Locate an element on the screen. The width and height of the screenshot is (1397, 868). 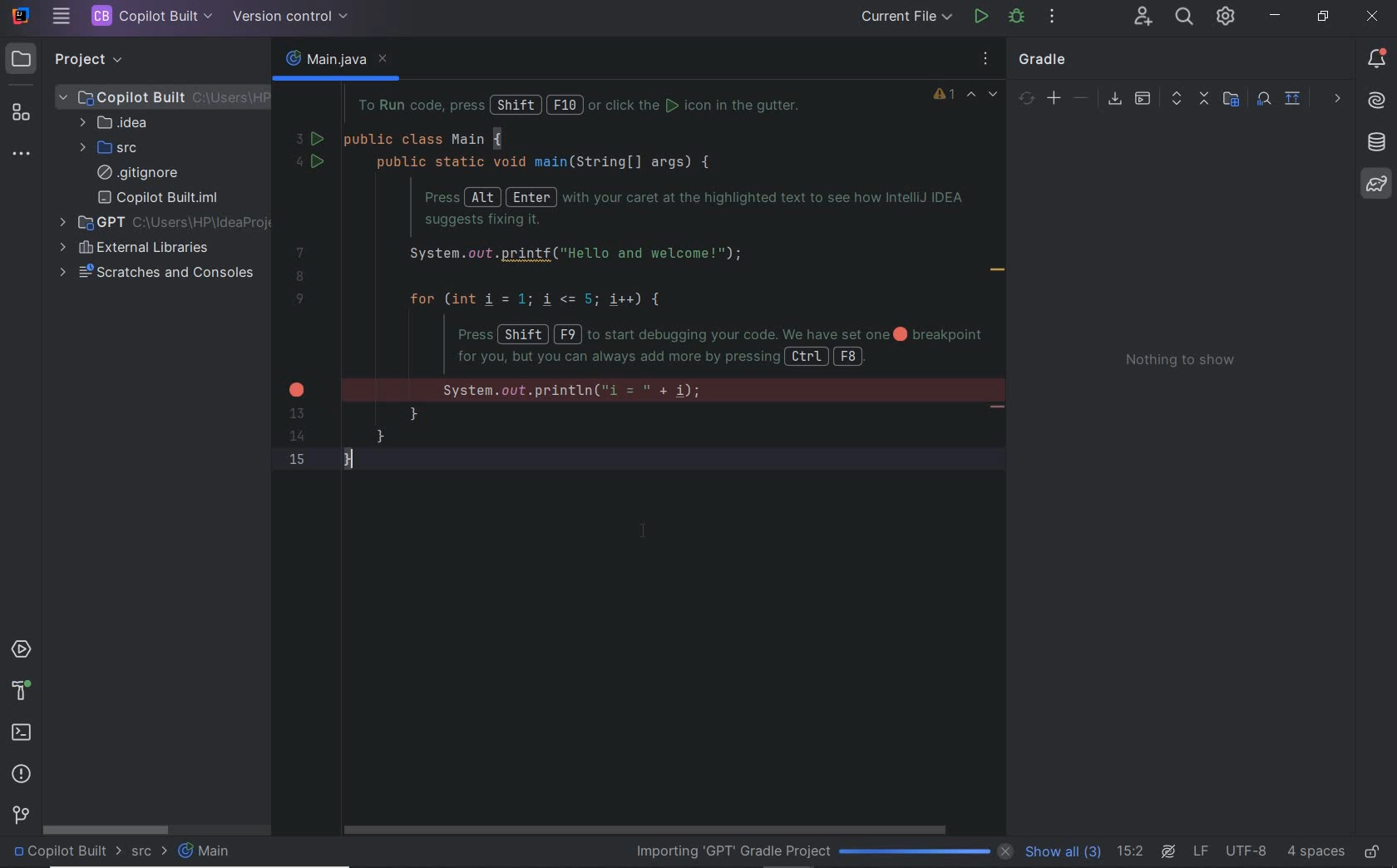
1 warning is located at coordinates (944, 96).